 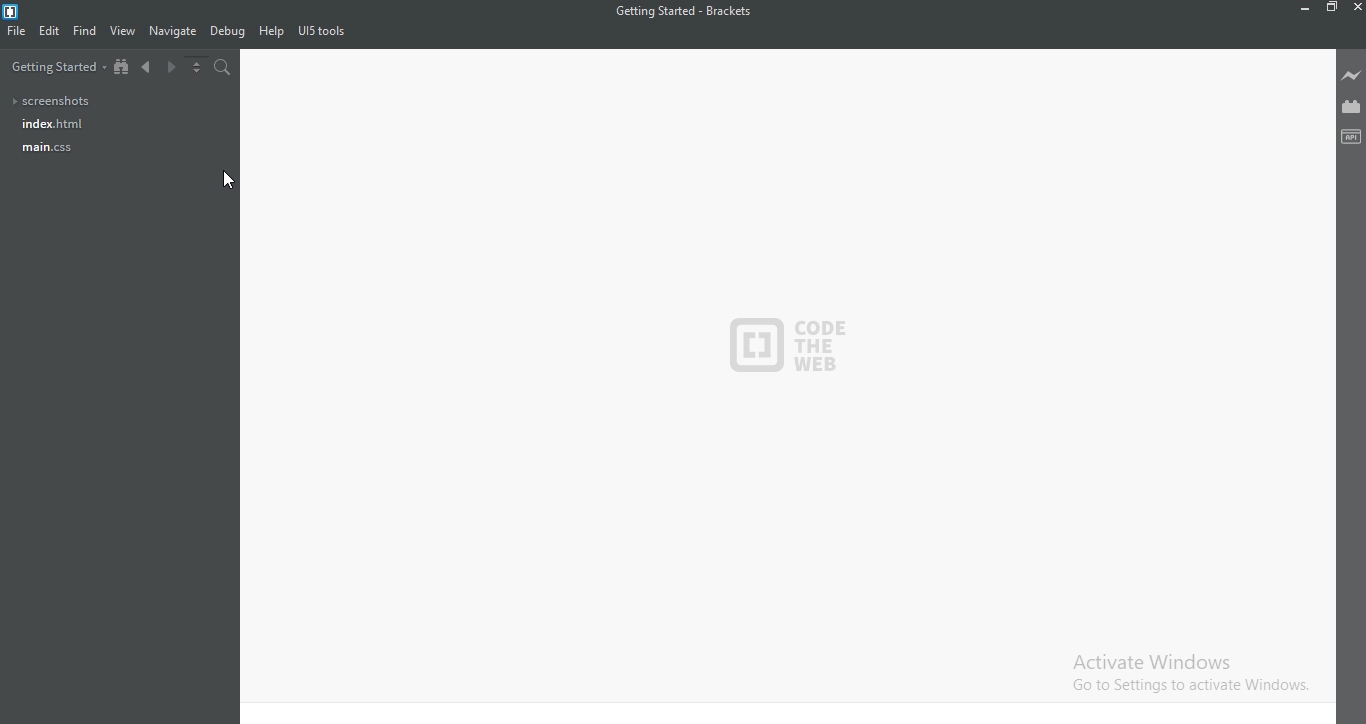 I want to click on Find, so click(x=85, y=30).